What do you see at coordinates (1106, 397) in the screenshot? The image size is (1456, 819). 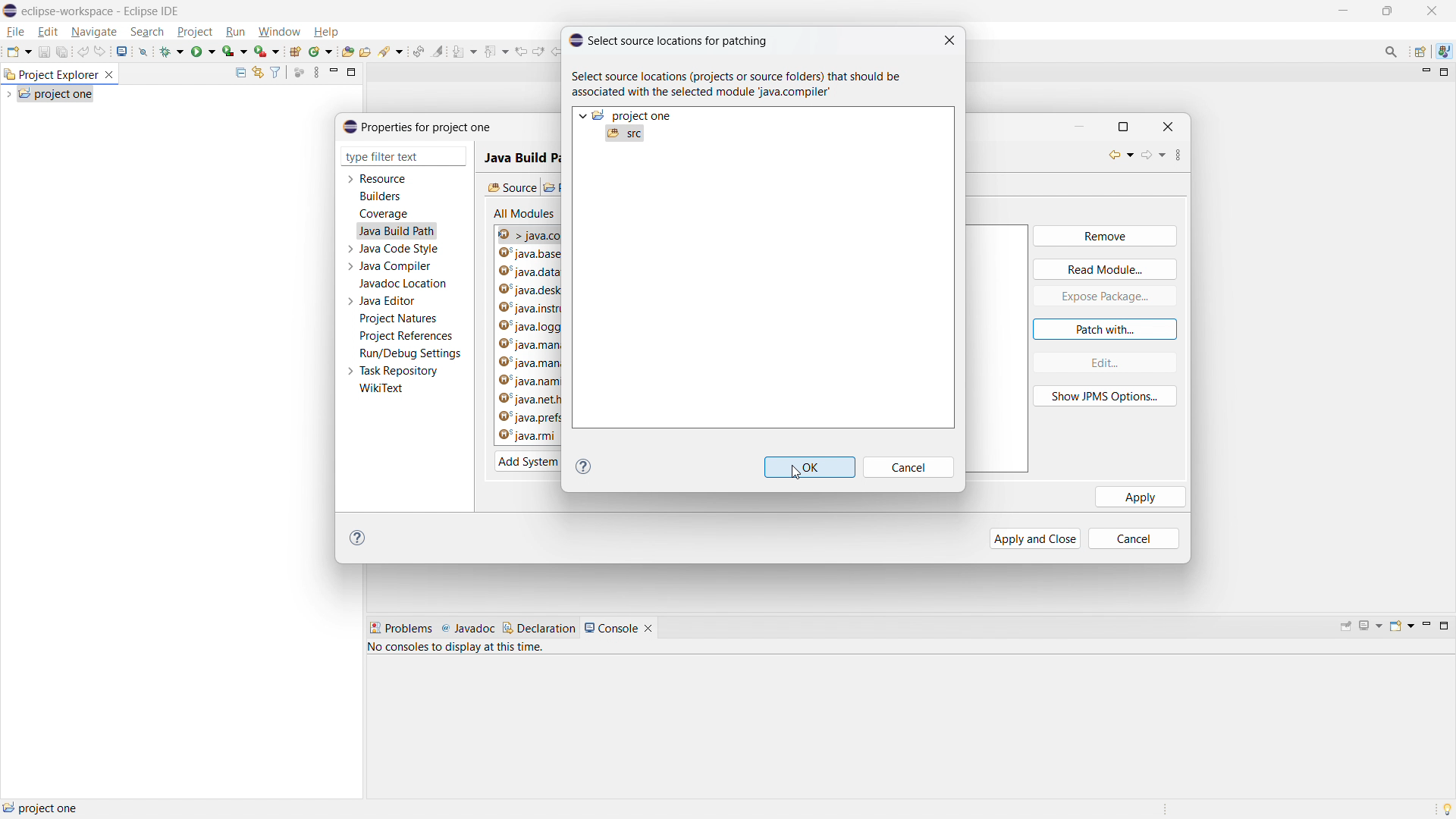 I see `show JPMS option` at bounding box center [1106, 397].